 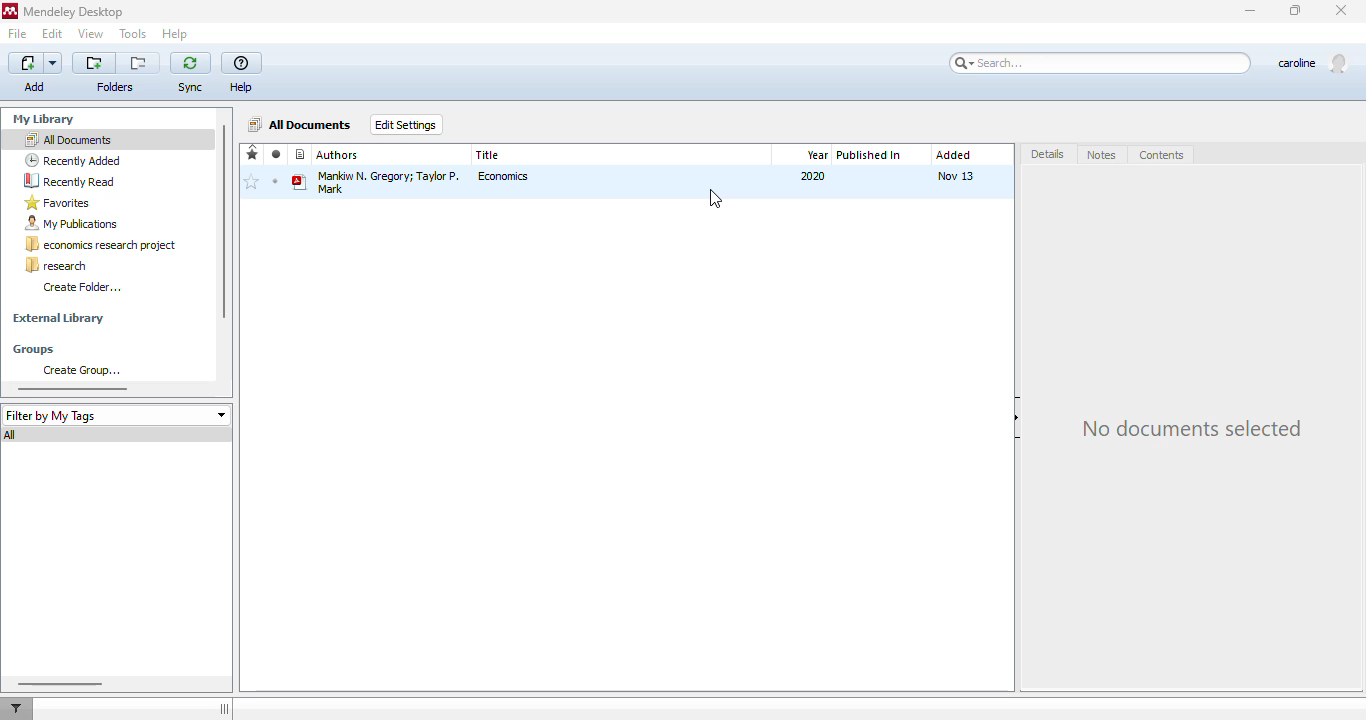 What do you see at coordinates (1296, 11) in the screenshot?
I see `maximize` at bounding box center [1296, 11].